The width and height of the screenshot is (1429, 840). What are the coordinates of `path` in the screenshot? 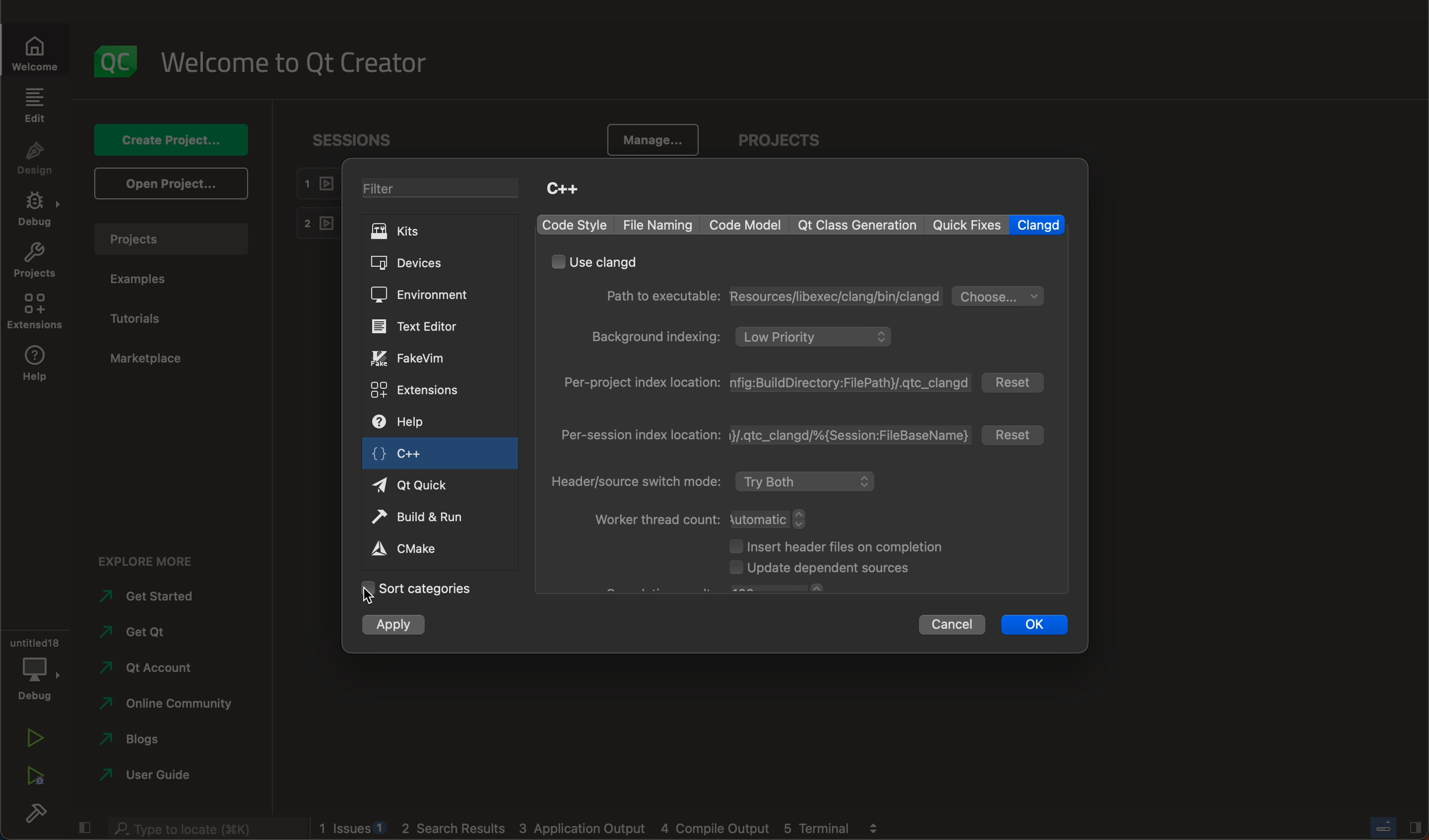 It's located at (768, 296).